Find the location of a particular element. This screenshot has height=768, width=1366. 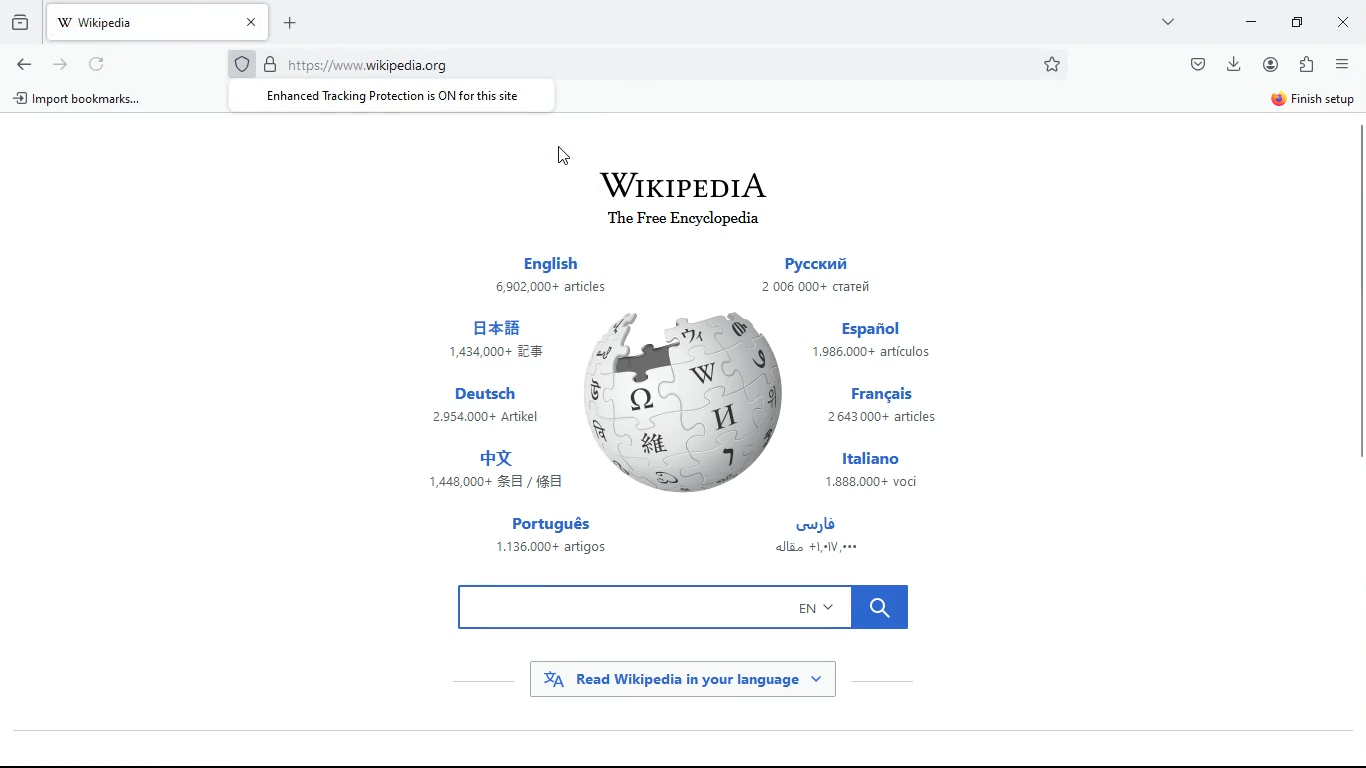

russian is located at coordinates (828, 278).